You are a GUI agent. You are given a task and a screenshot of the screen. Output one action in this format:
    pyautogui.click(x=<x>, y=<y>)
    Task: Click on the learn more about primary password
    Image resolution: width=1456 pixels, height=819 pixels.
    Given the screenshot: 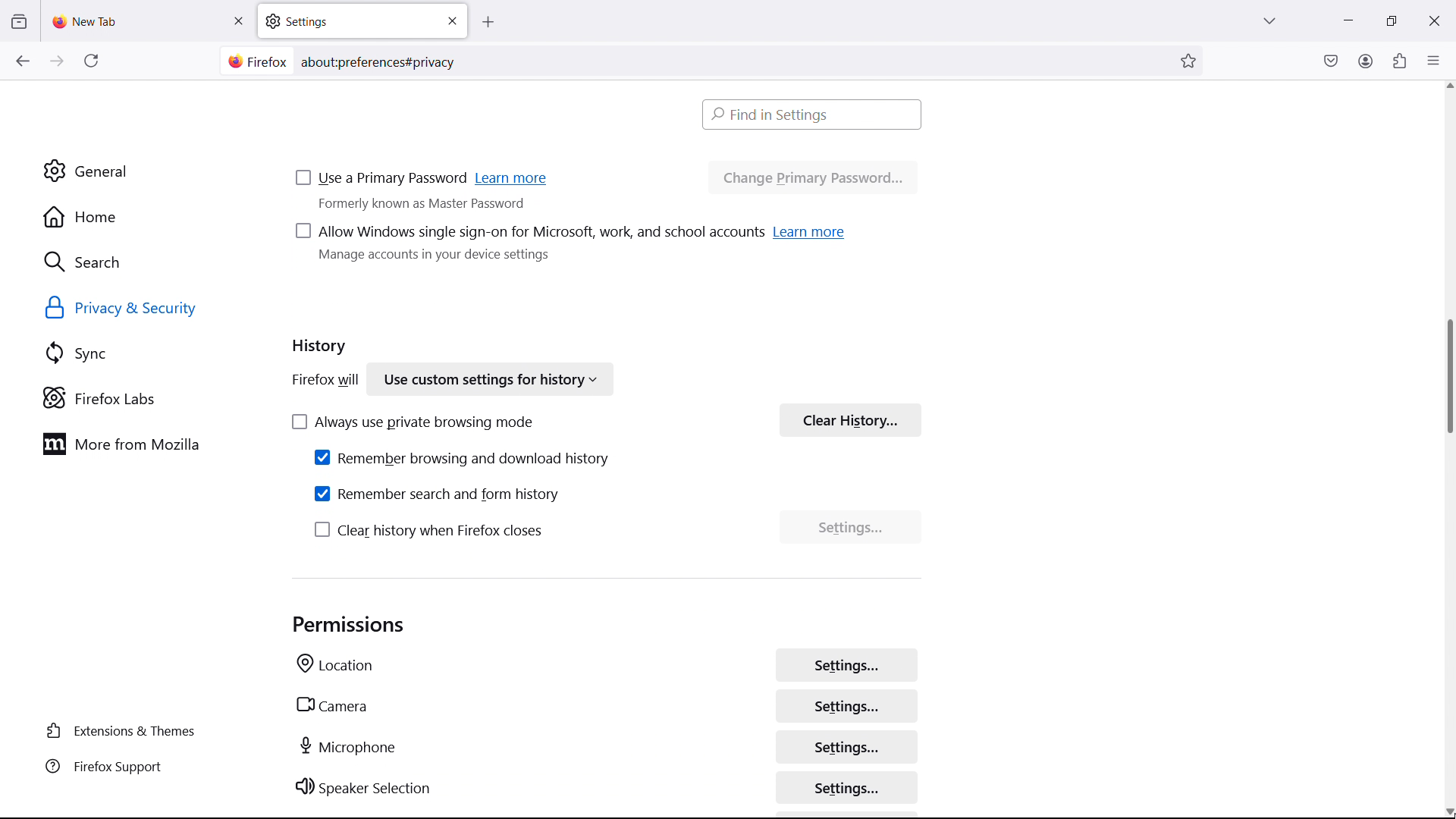 What is the action you would take?
    pyautogui.click(x=513, y=177)
    